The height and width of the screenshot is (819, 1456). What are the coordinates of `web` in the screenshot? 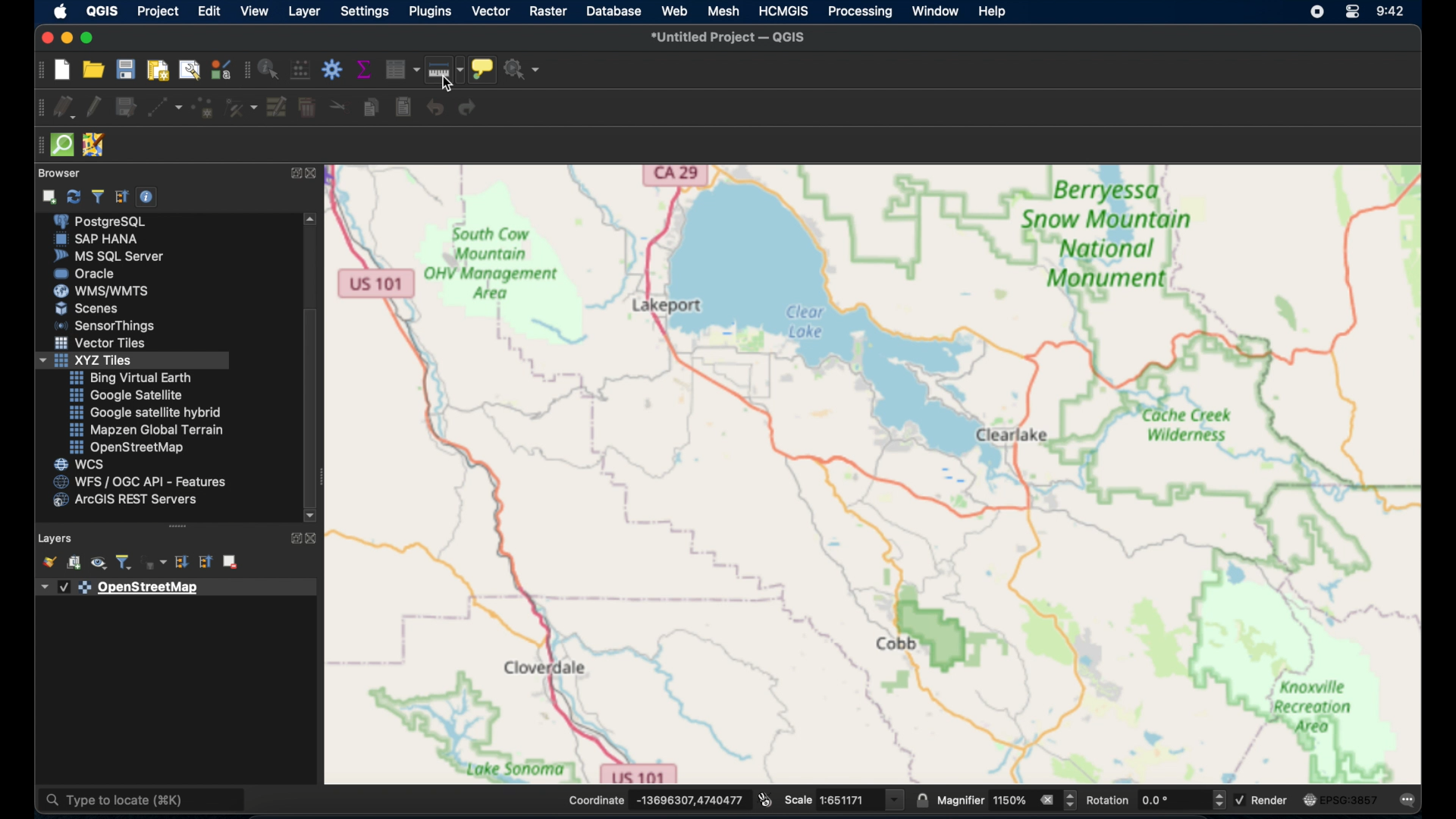 It's located at (674, 11).